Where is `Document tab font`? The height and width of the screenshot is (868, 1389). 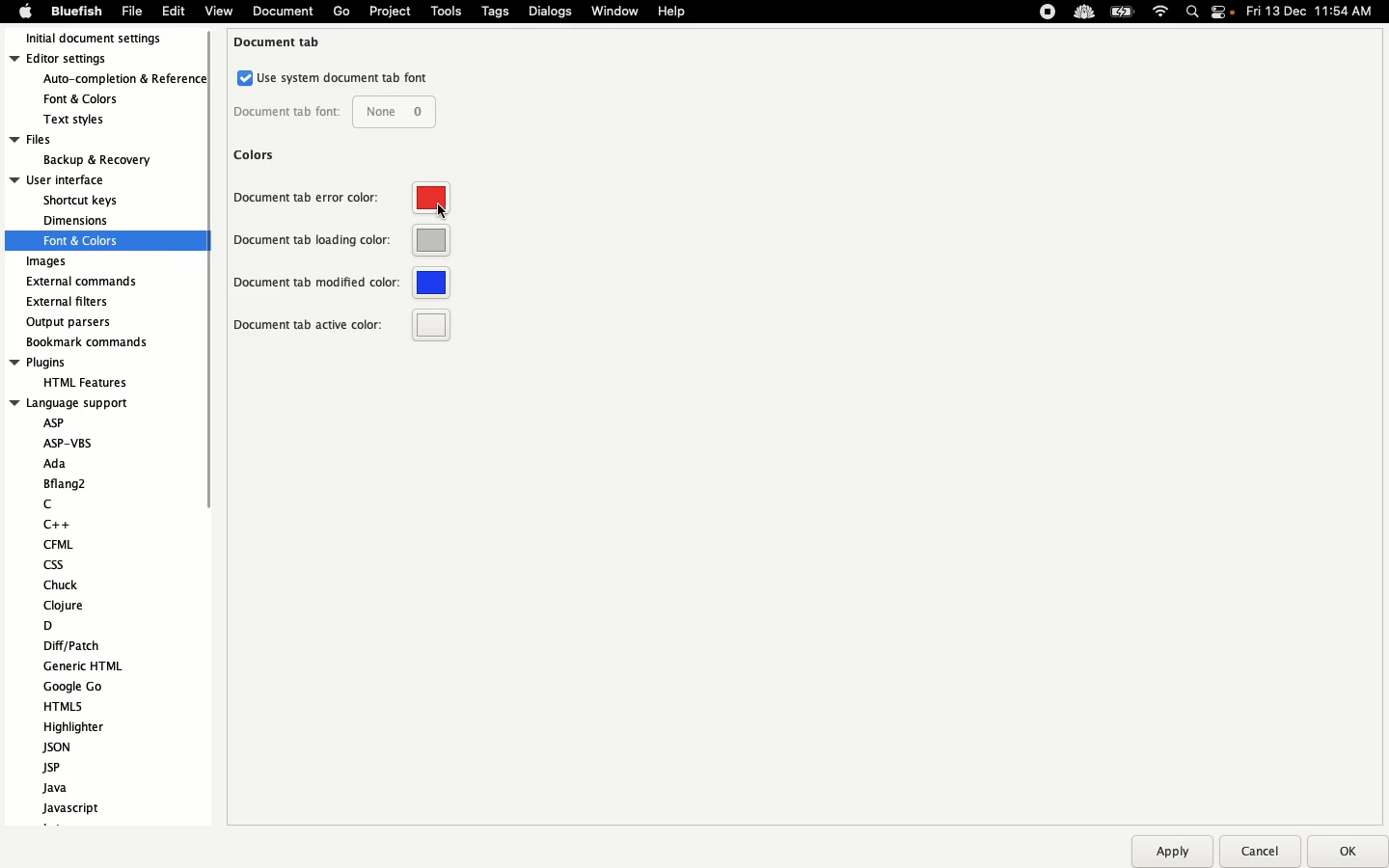
Document tab font is located at coordinates (334, 113).